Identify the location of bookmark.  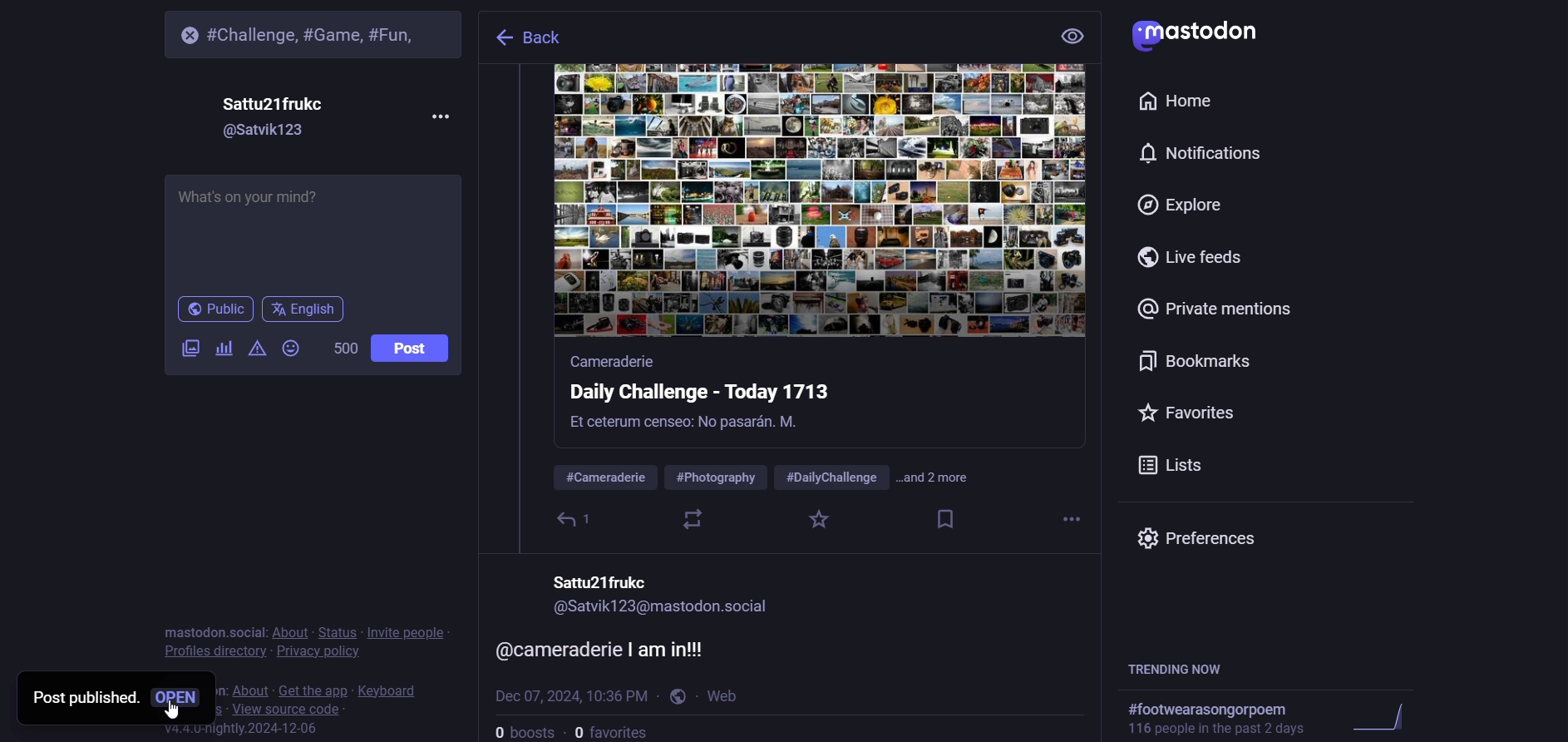
(947, 516).